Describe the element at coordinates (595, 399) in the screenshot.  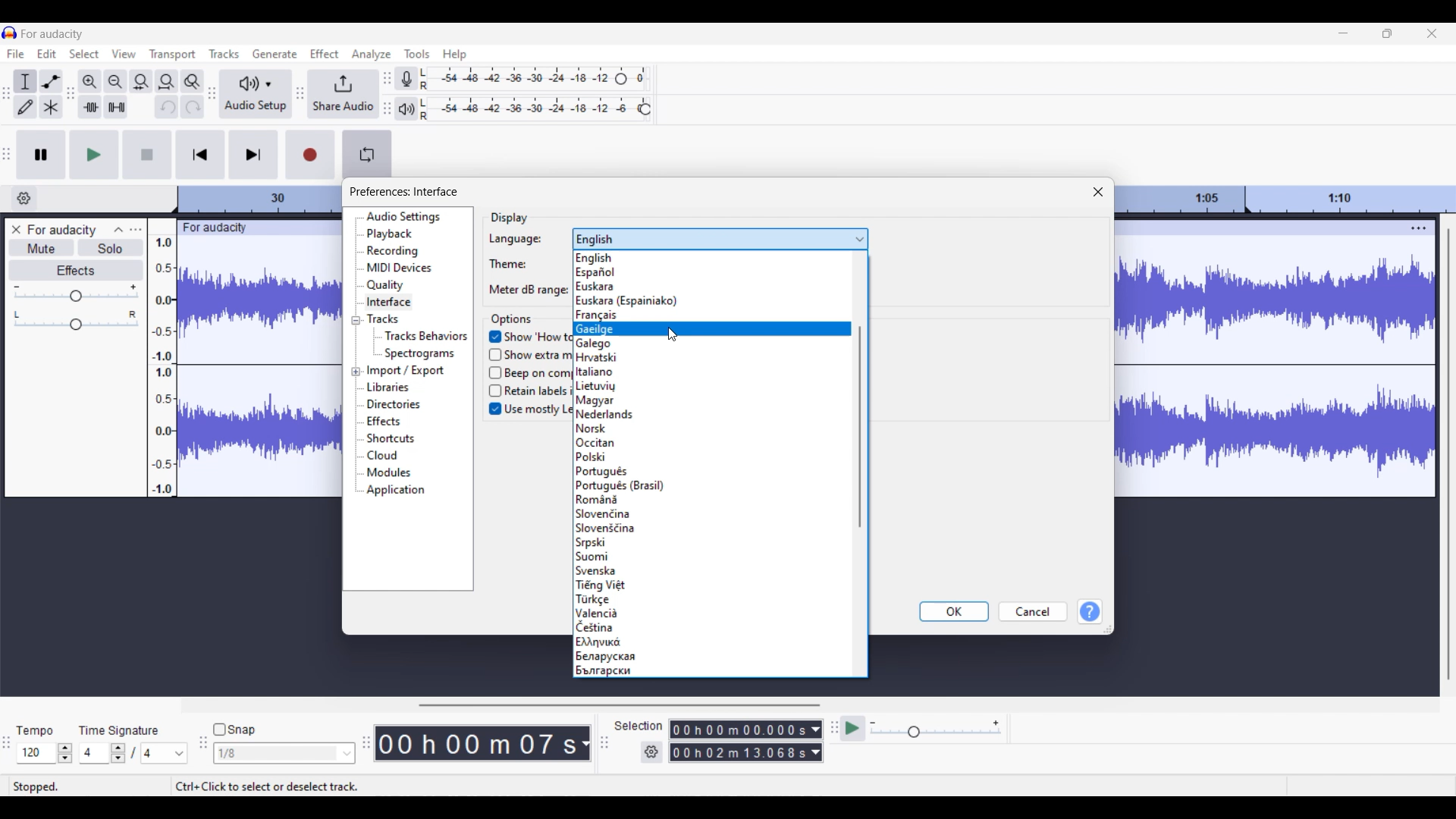
I see `Maavar` at that location.